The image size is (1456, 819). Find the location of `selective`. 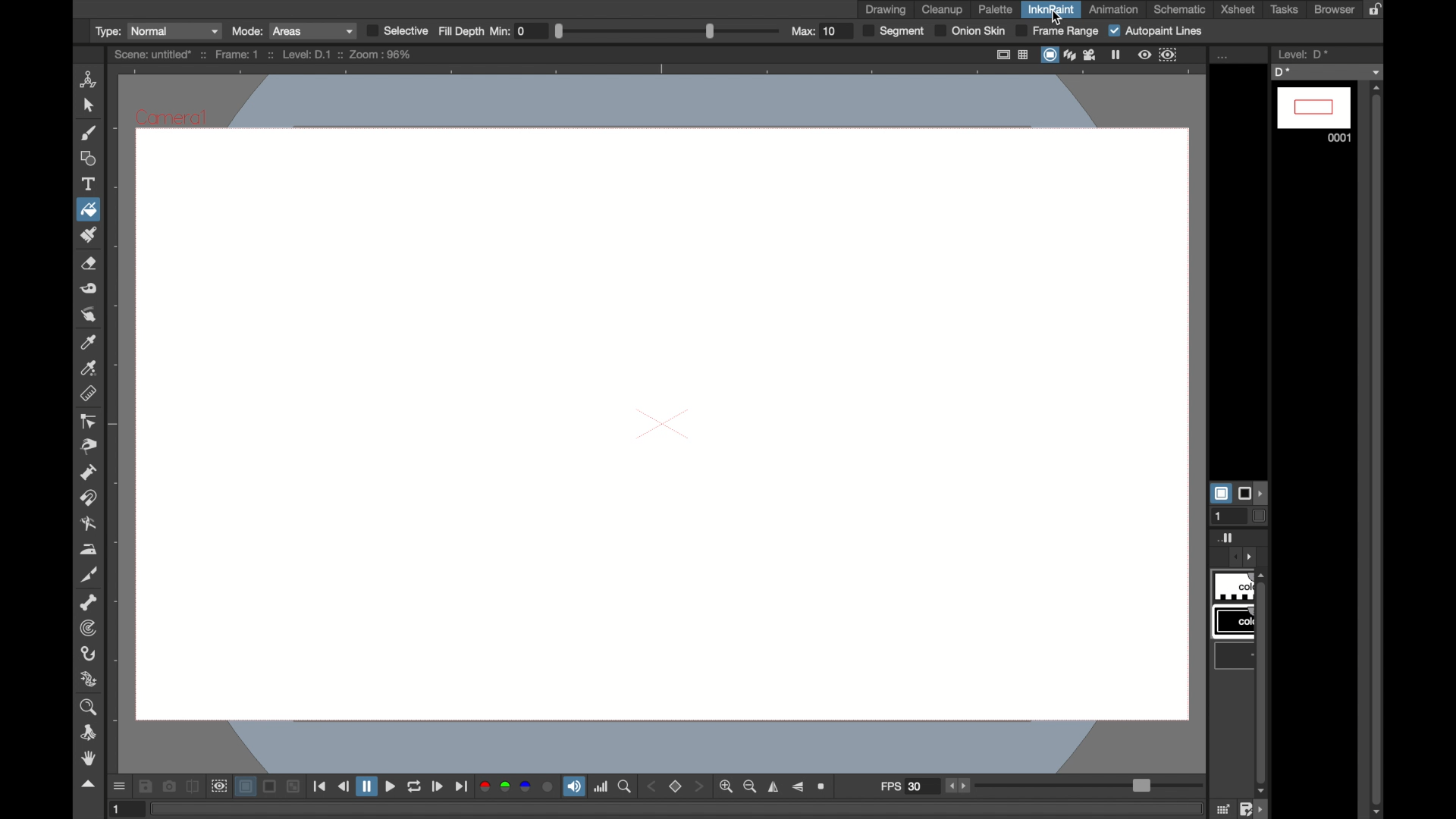

selective is located at coordinates (397, 30).